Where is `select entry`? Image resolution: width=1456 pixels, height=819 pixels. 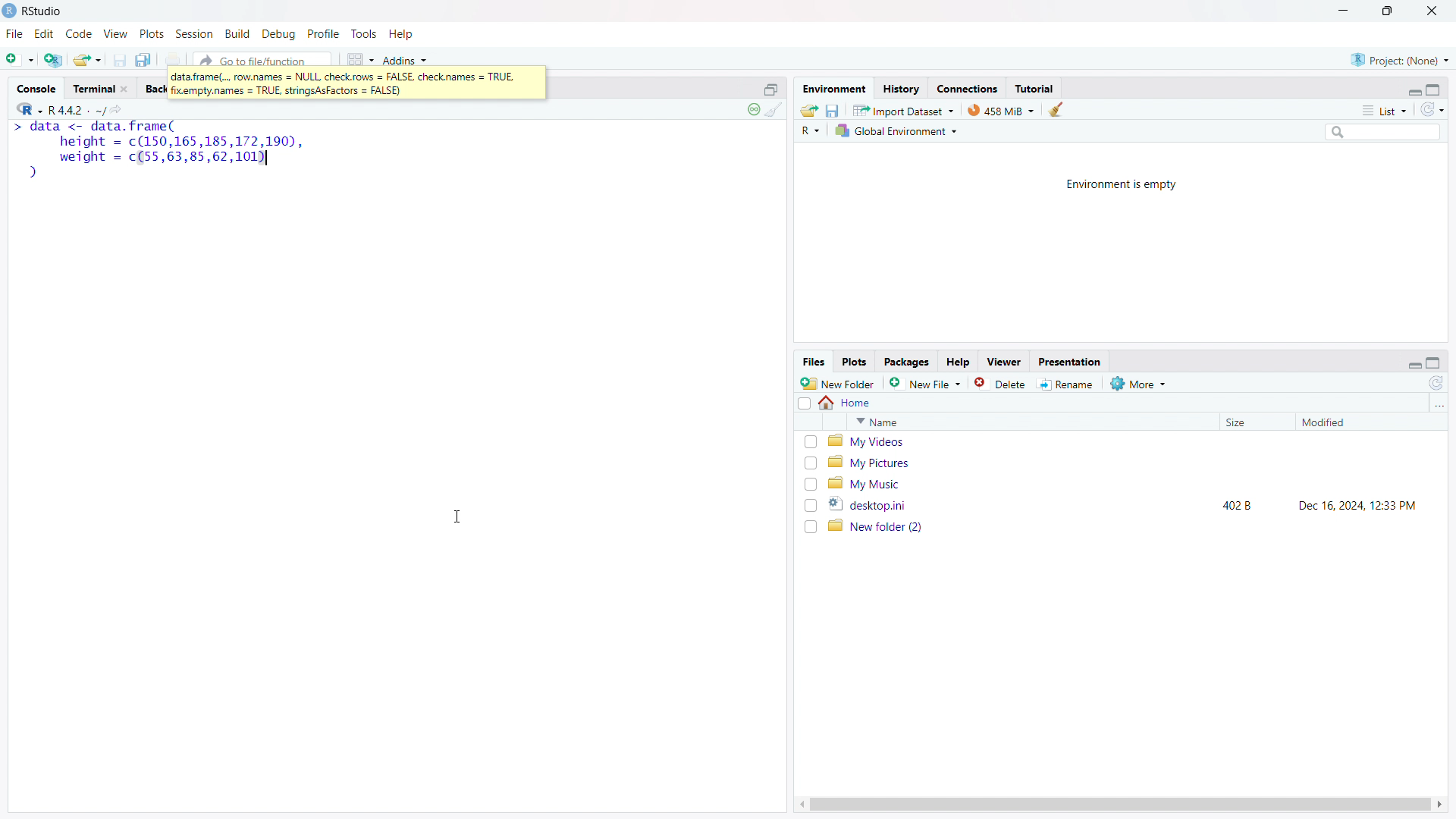 select entry is located at coordinates (804, 403).